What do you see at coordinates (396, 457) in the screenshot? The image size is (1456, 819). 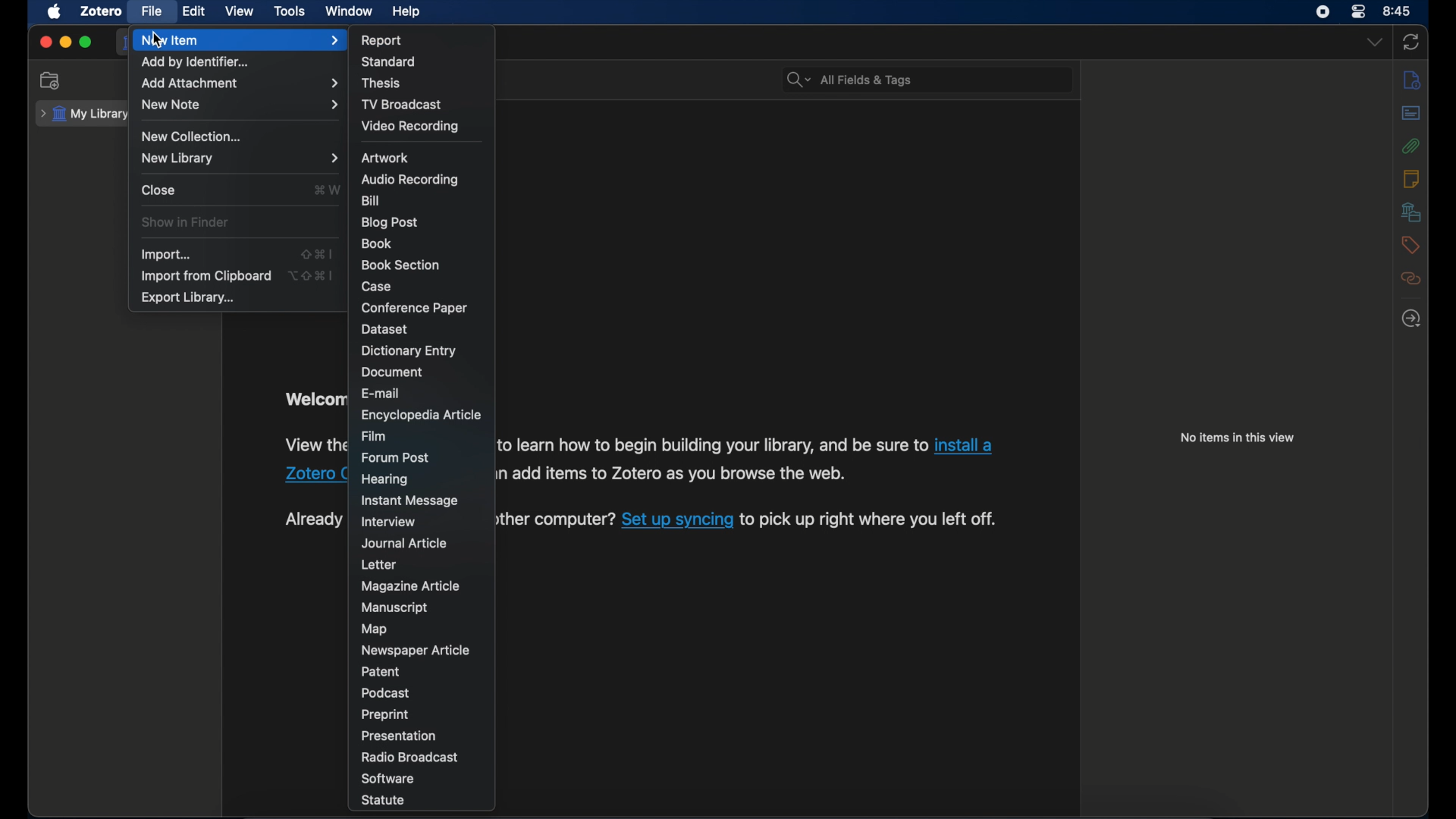 I see `forum post` at bounding box center [396, 457].